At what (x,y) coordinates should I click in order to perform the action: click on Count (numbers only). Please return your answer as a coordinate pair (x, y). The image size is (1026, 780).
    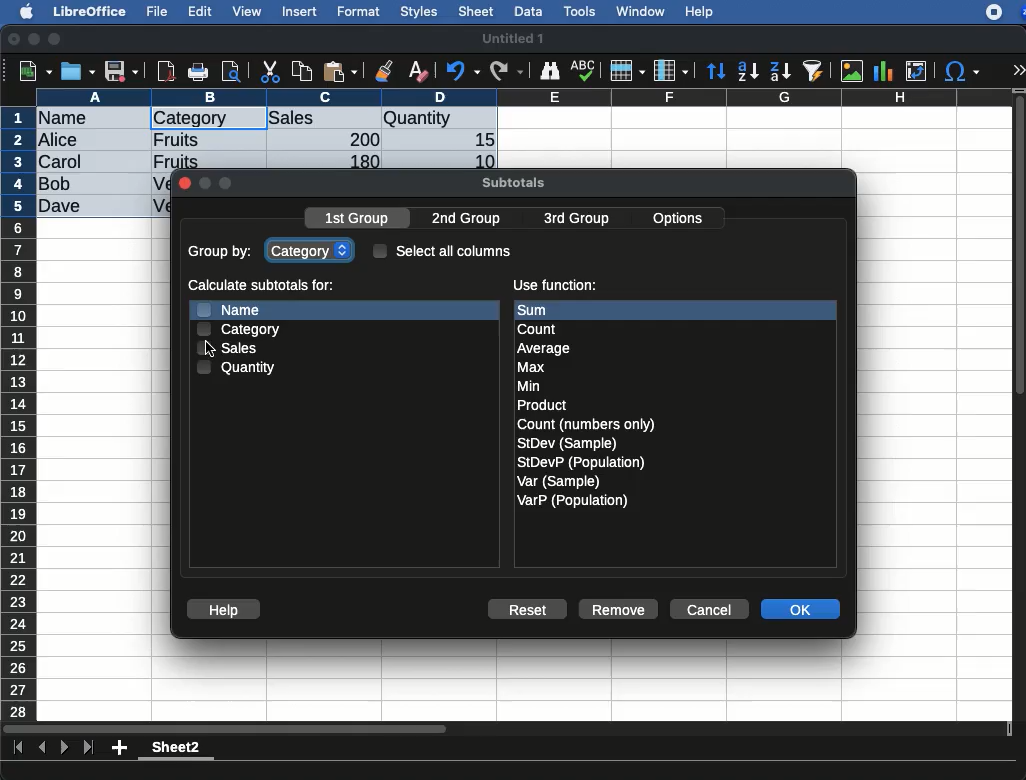
    Looking at the image, I should click on (588, 424).